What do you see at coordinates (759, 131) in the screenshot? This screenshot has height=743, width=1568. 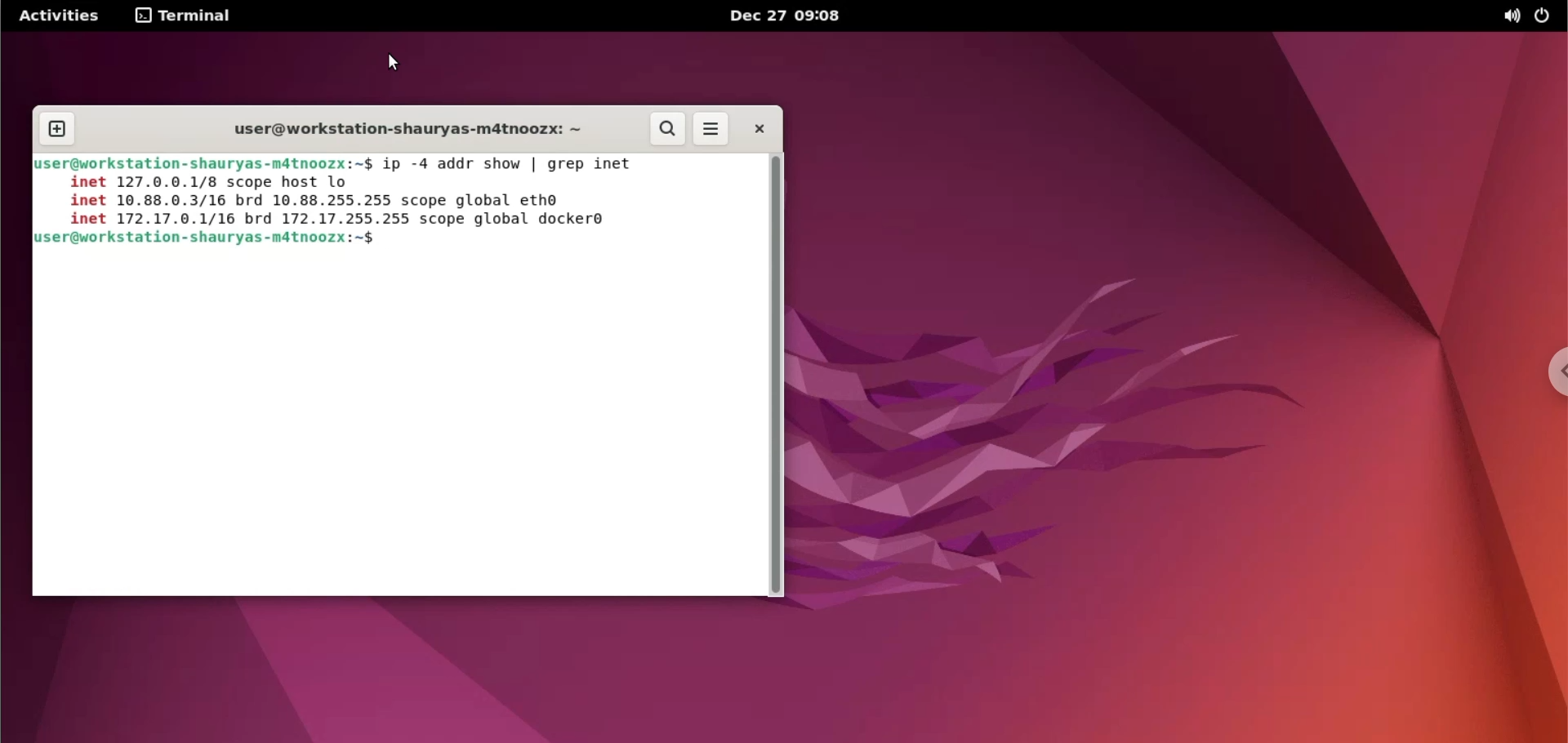 I see `close` at bounding box center [759, 131].